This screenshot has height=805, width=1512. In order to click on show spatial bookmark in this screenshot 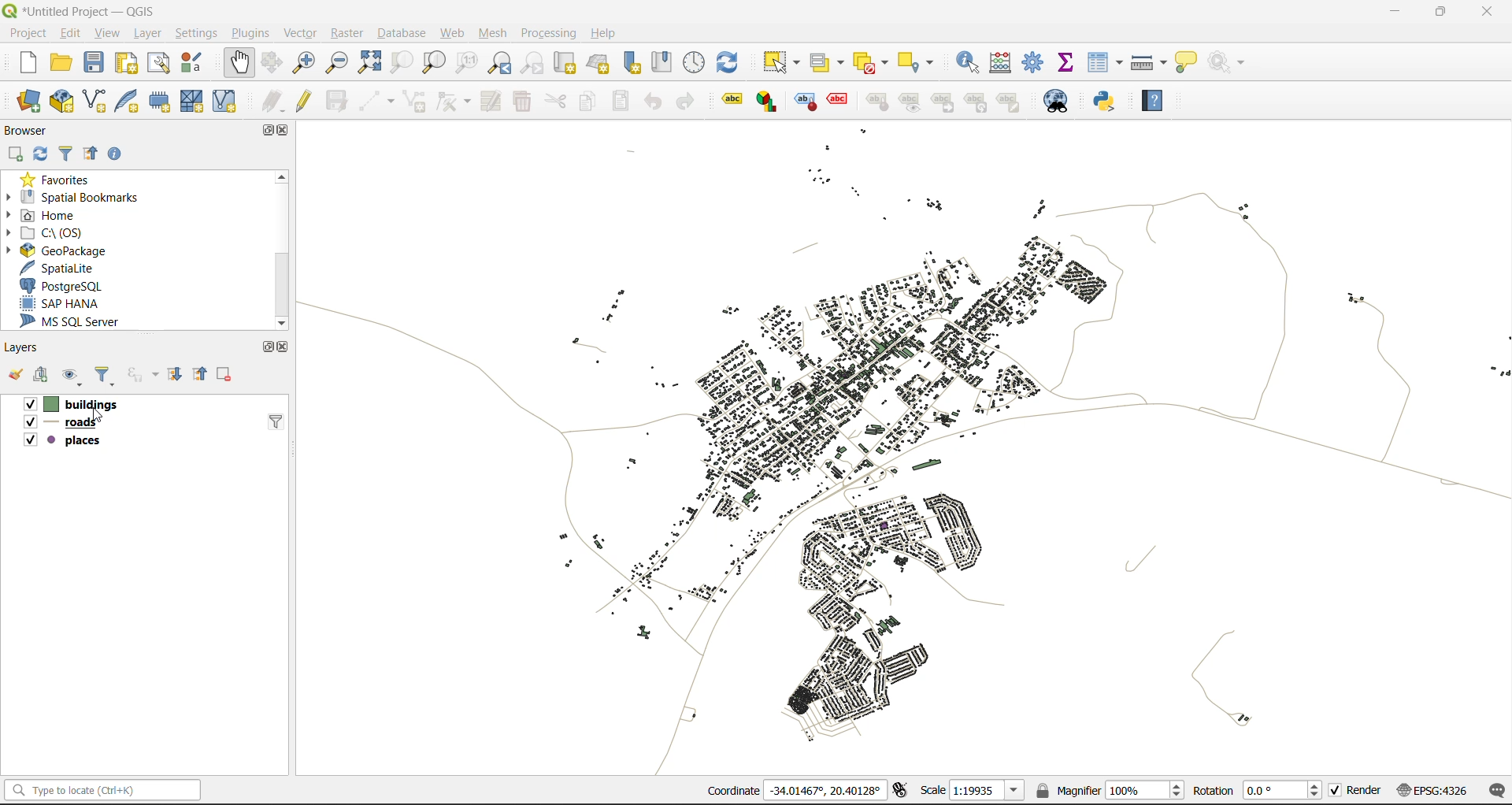, I will do `click(665, 62)`.